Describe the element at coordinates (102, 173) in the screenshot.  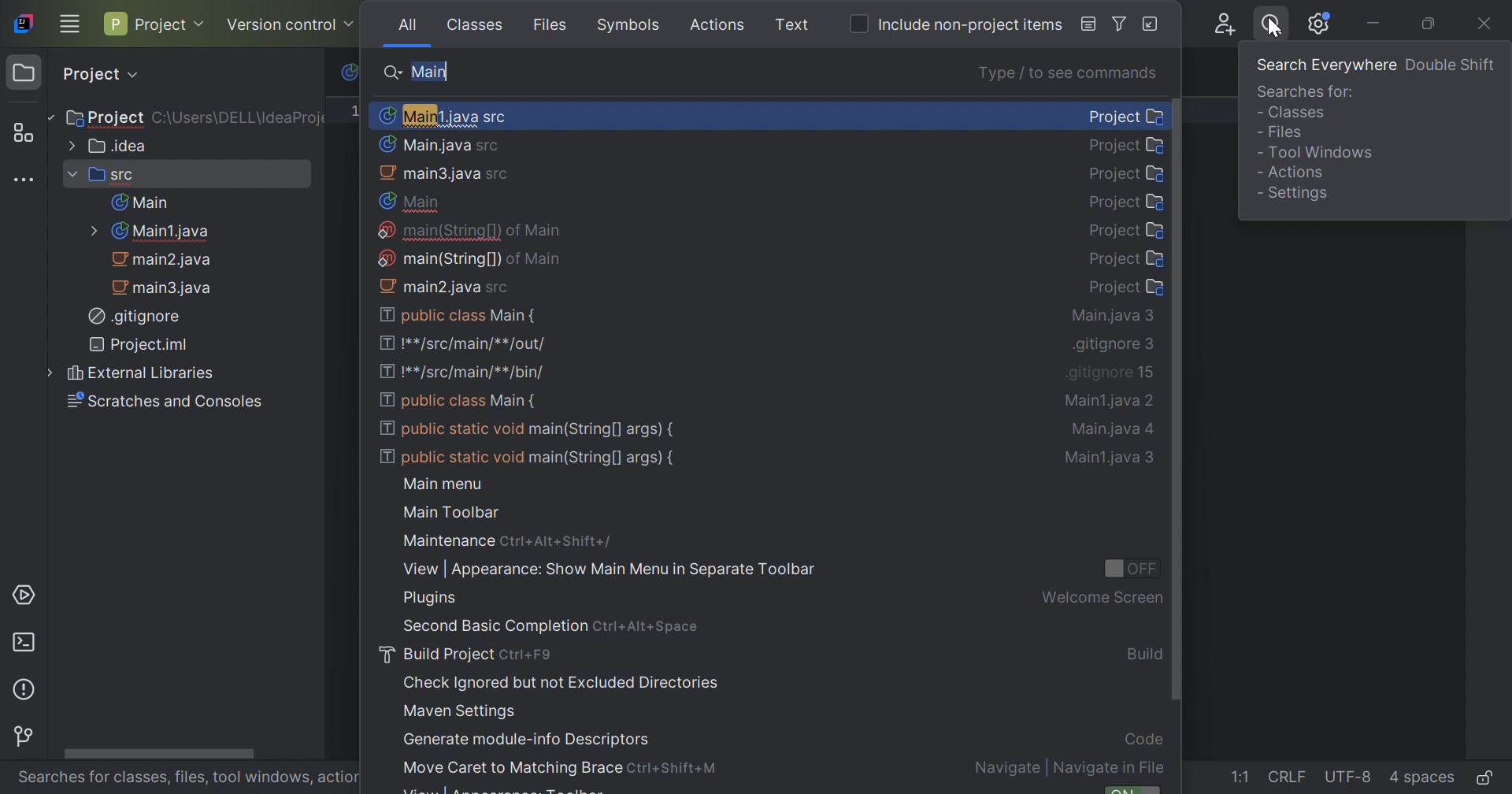
I see `src` at that location.